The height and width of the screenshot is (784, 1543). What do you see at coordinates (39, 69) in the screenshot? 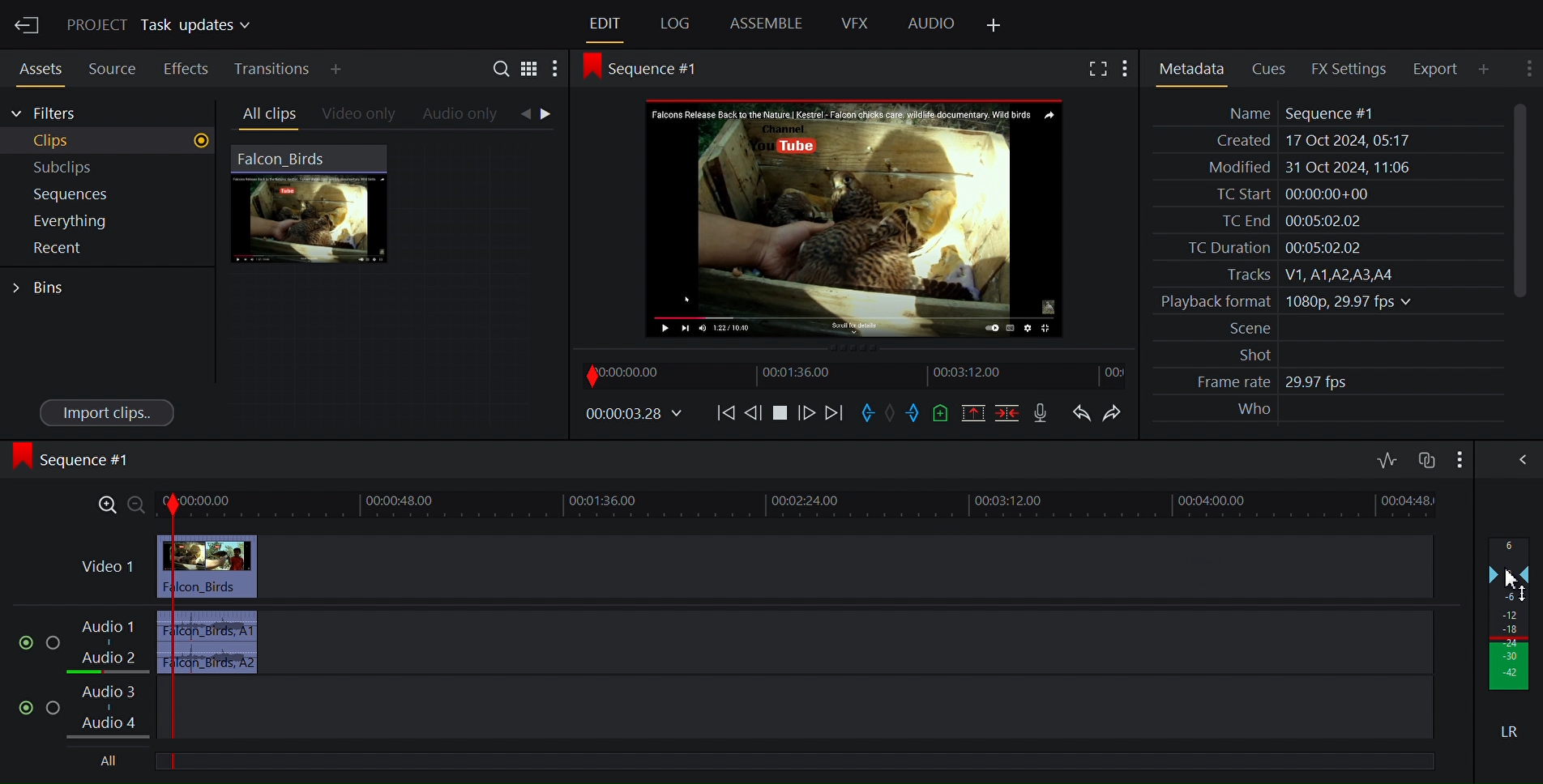
I see `Assets` at bounding box center [39, 69].